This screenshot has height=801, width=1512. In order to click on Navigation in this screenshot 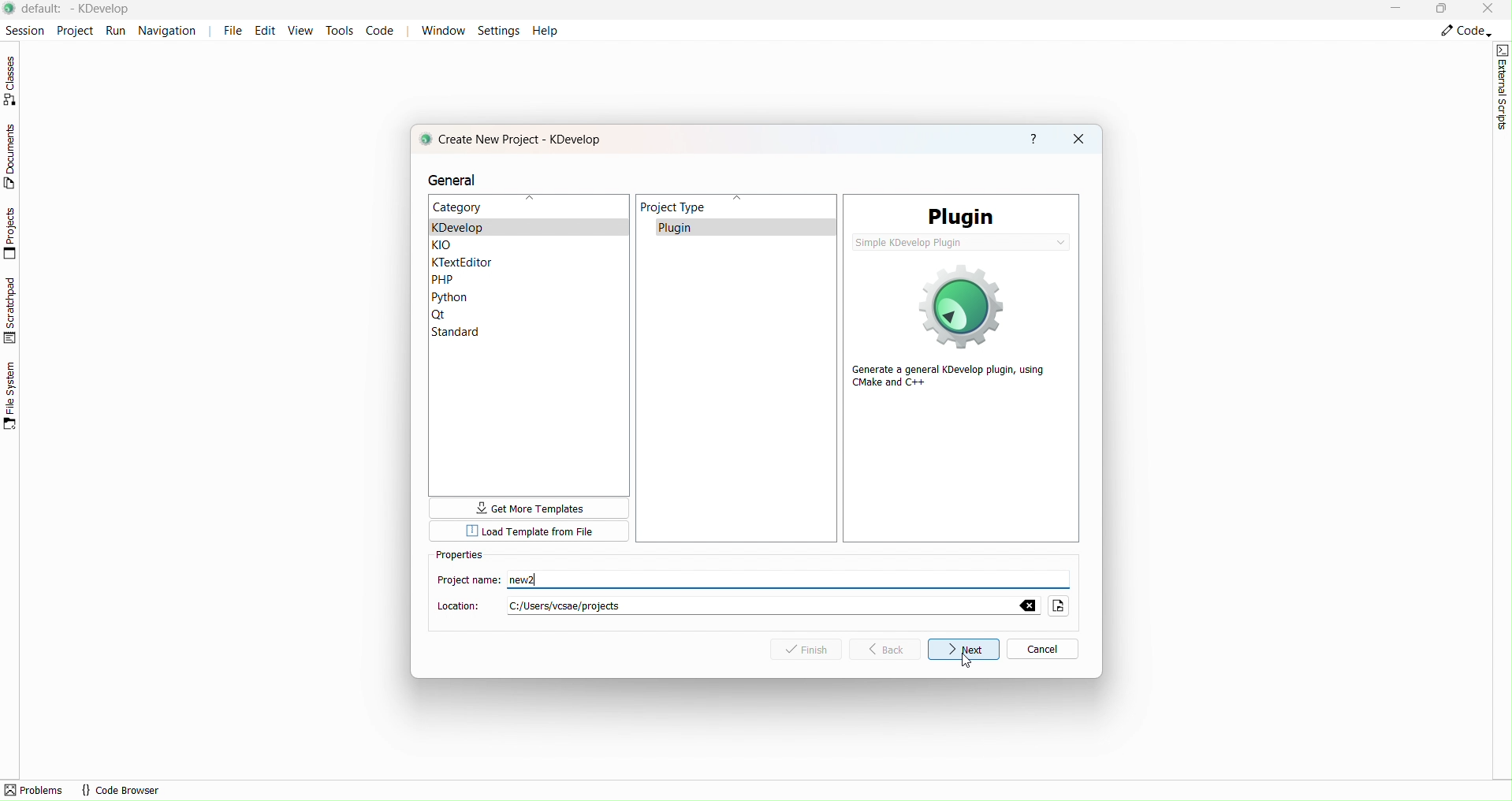, I will do `click(172, 30)`.